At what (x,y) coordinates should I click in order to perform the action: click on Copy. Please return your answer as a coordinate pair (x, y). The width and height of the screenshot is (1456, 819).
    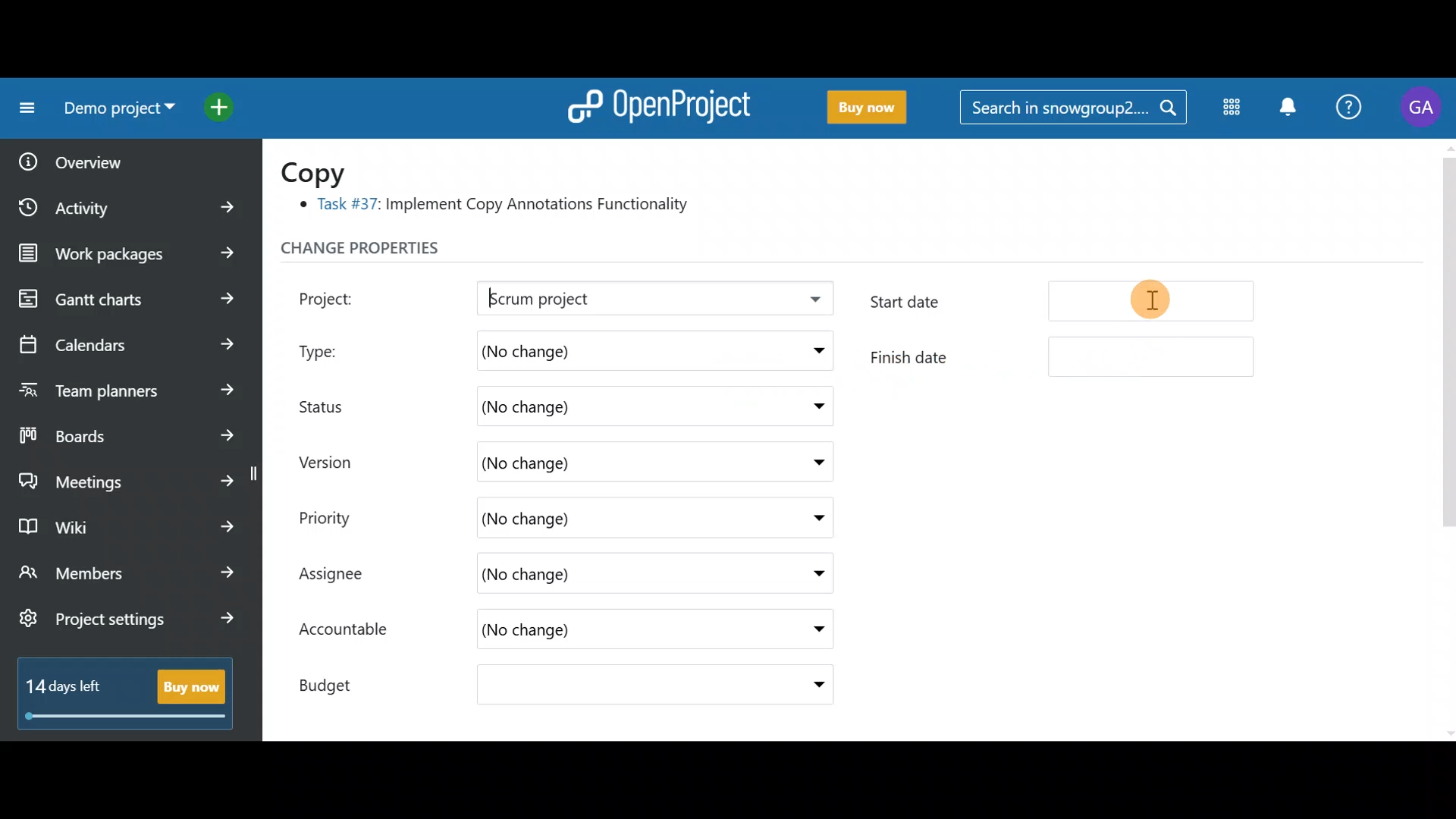
    Looking at the image, I should click on (323, 171).